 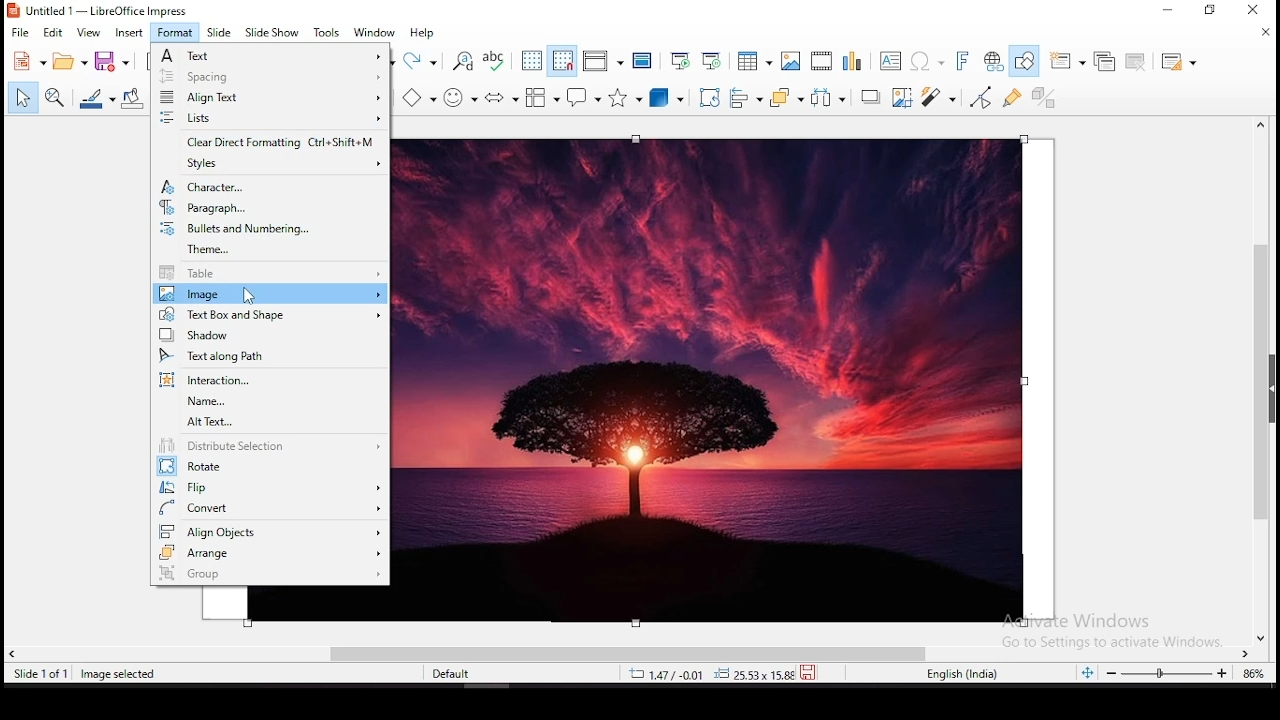 What do you see at coordinates (100, 11) in the screenshot?
I see `icon and filename  - LibreOffice Impress` at bounding box center [100, 11].